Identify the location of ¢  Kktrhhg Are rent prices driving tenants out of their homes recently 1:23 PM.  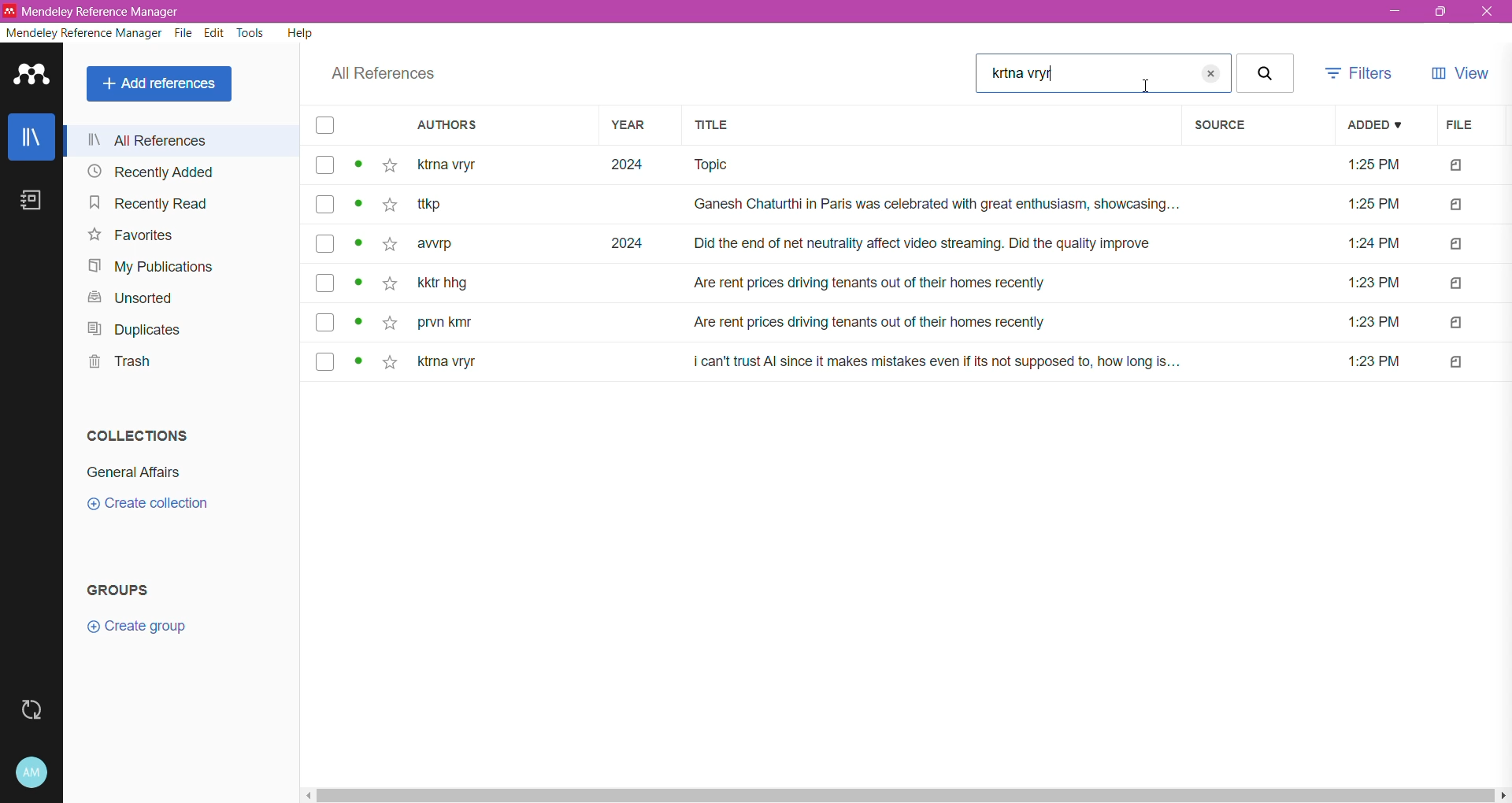
(915, 284).